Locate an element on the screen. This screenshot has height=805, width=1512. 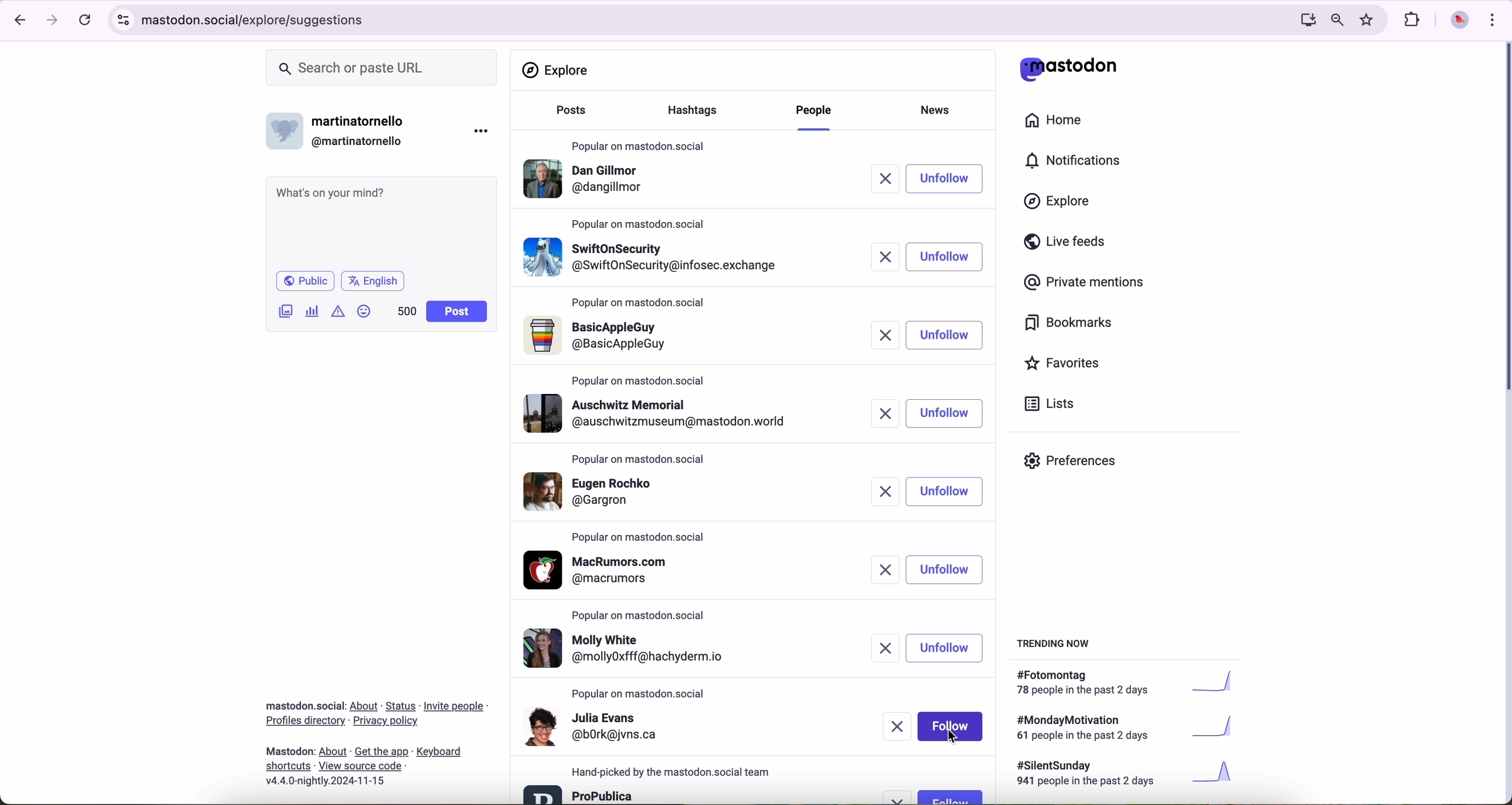
follow is located at coordinates (950, 257).